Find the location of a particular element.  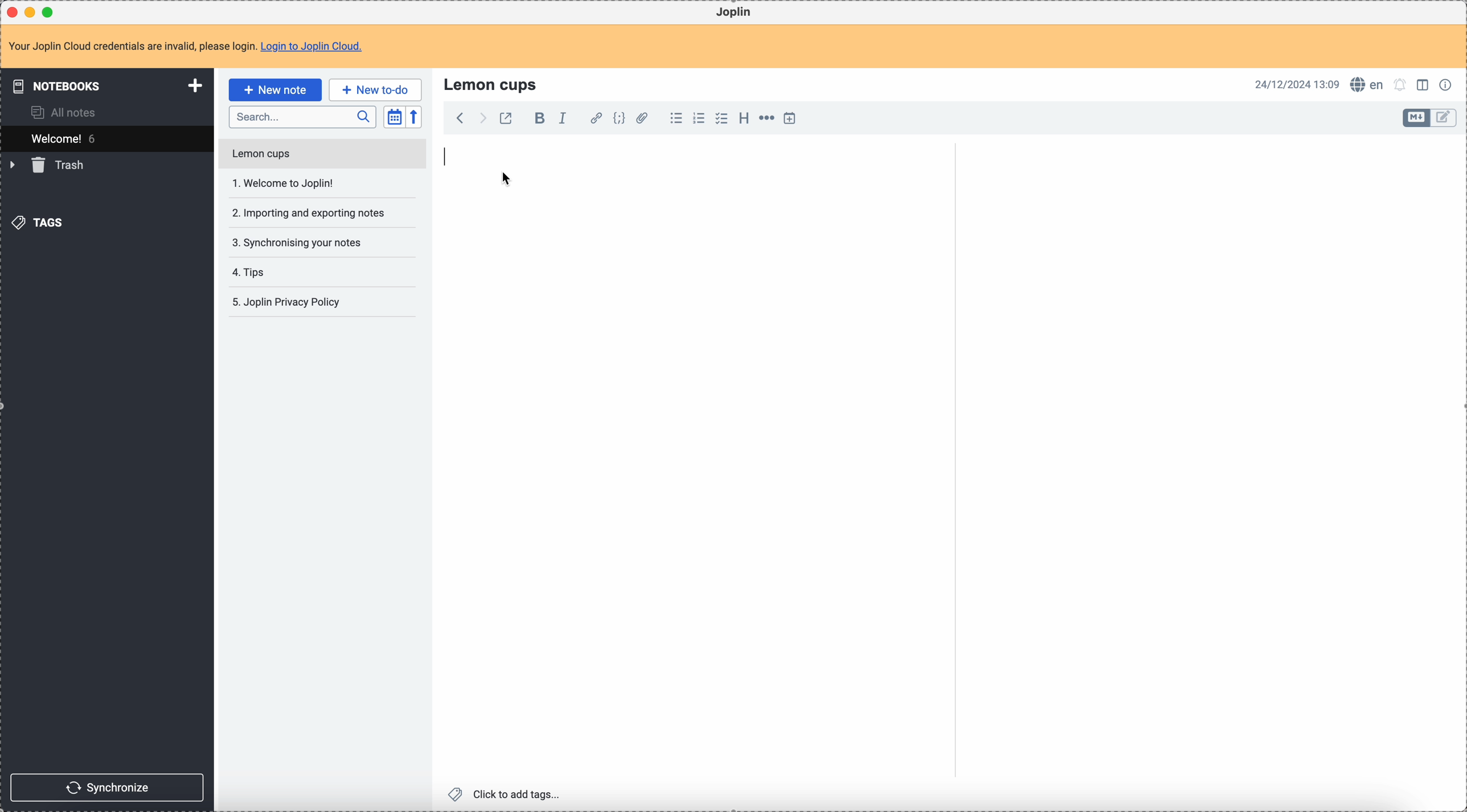

synchronize is located at coordinates (108, 788).